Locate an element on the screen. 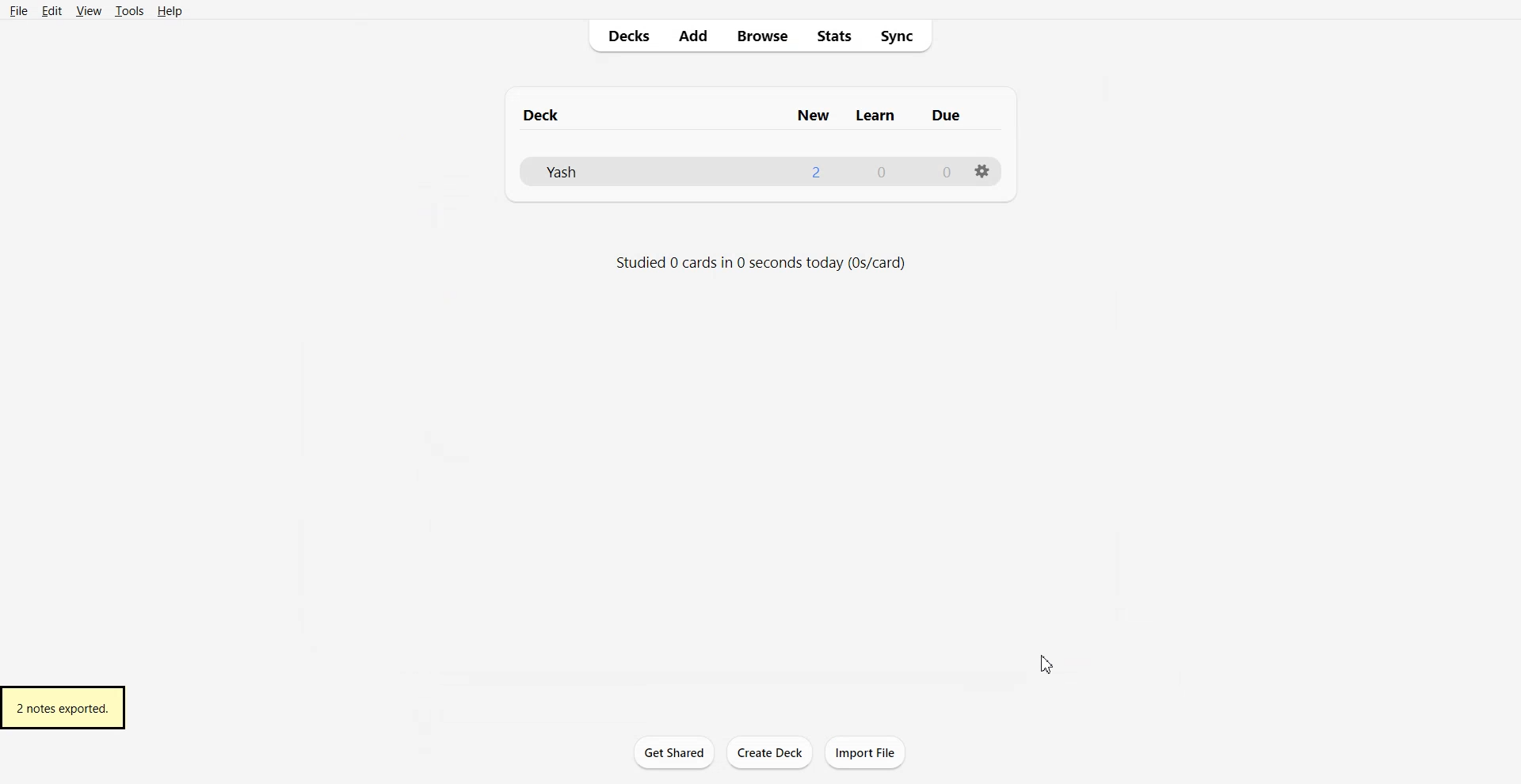 The width and height of the screenshot is (1521, 784). Add is located at coordinates (693, 36).